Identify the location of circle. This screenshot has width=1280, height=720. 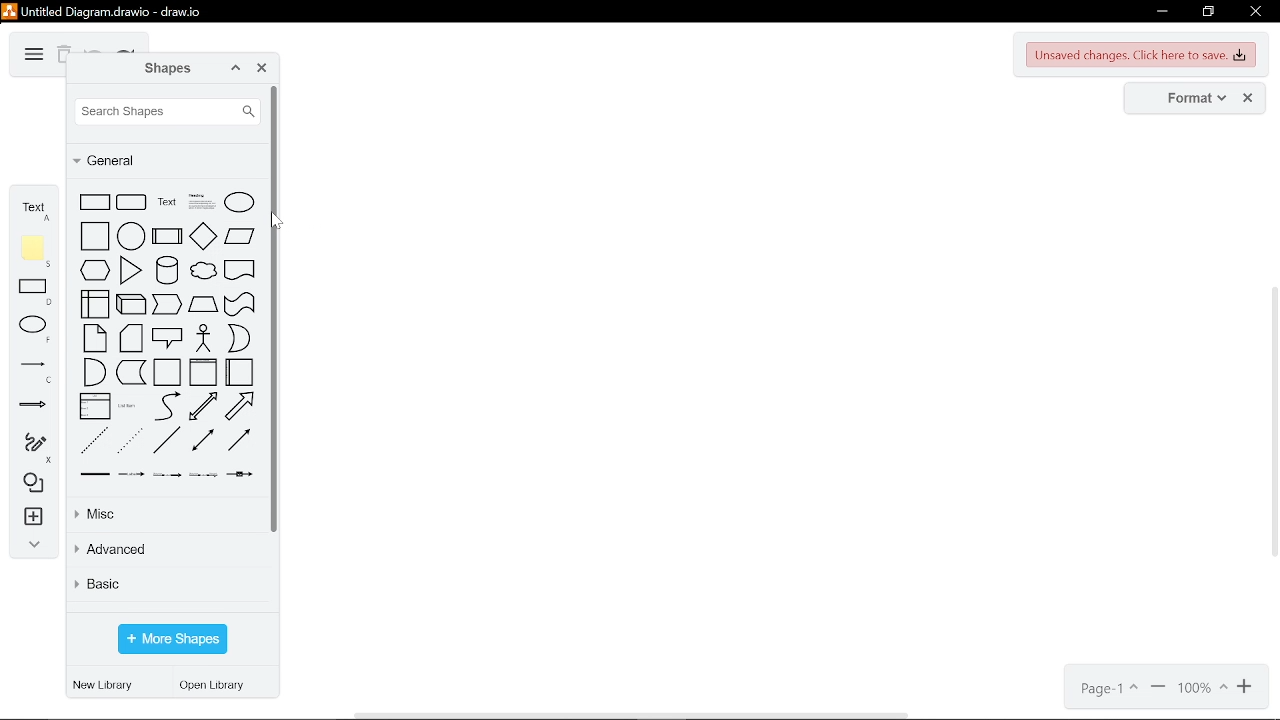
(131, 236).